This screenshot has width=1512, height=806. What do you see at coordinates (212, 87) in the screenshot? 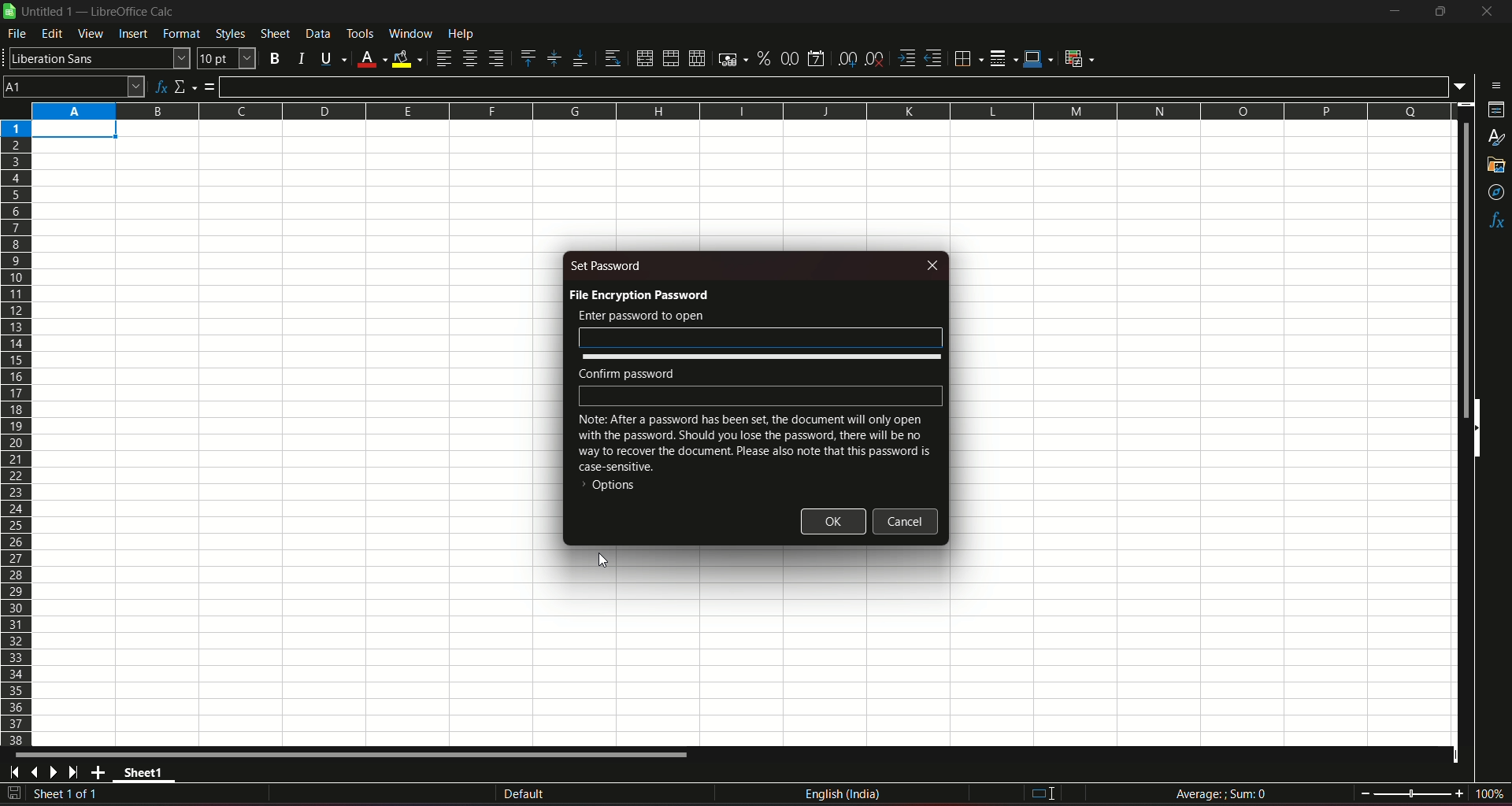
I see `formula` at bounding box center [212, 87].